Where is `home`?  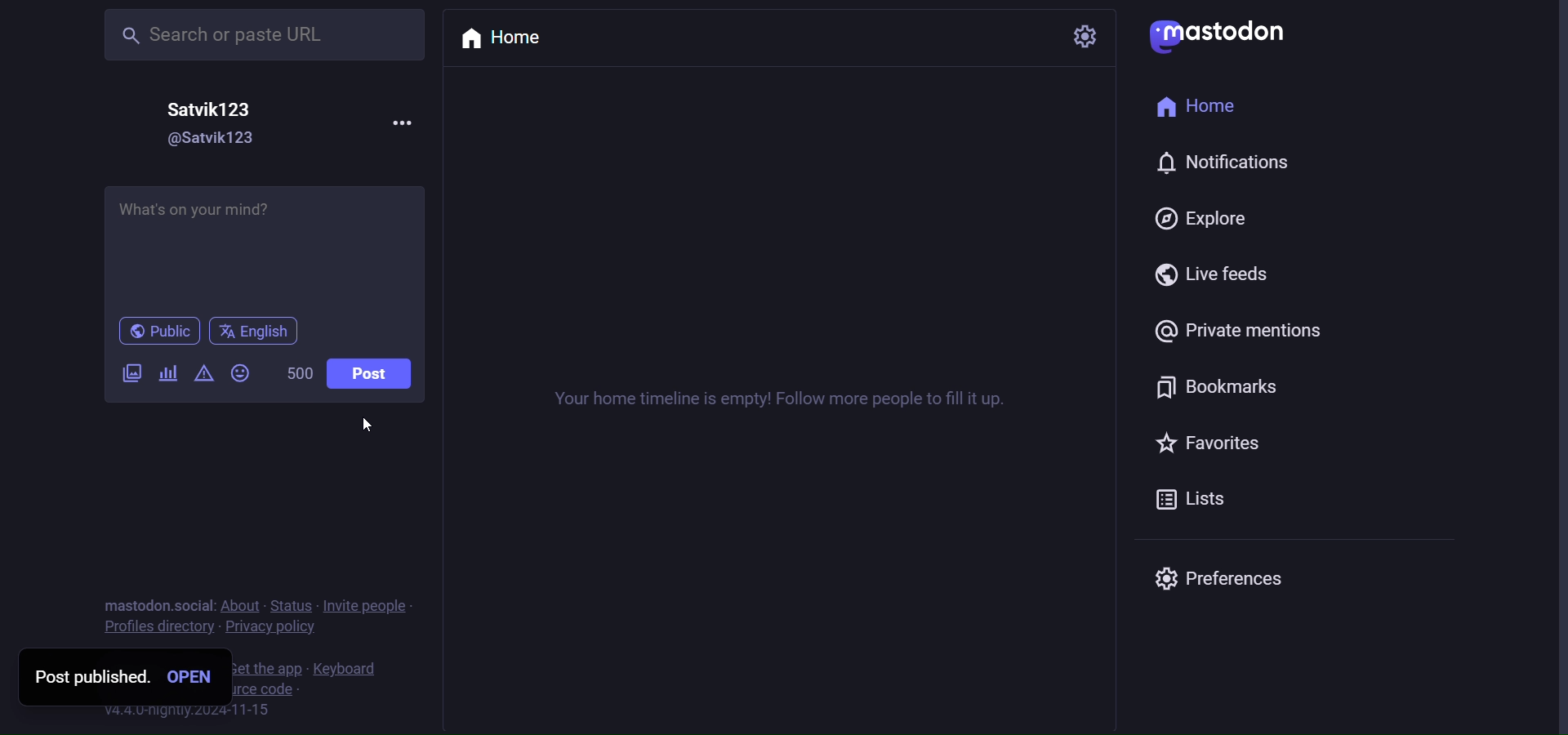
home is located at coordinates (1205, 110).